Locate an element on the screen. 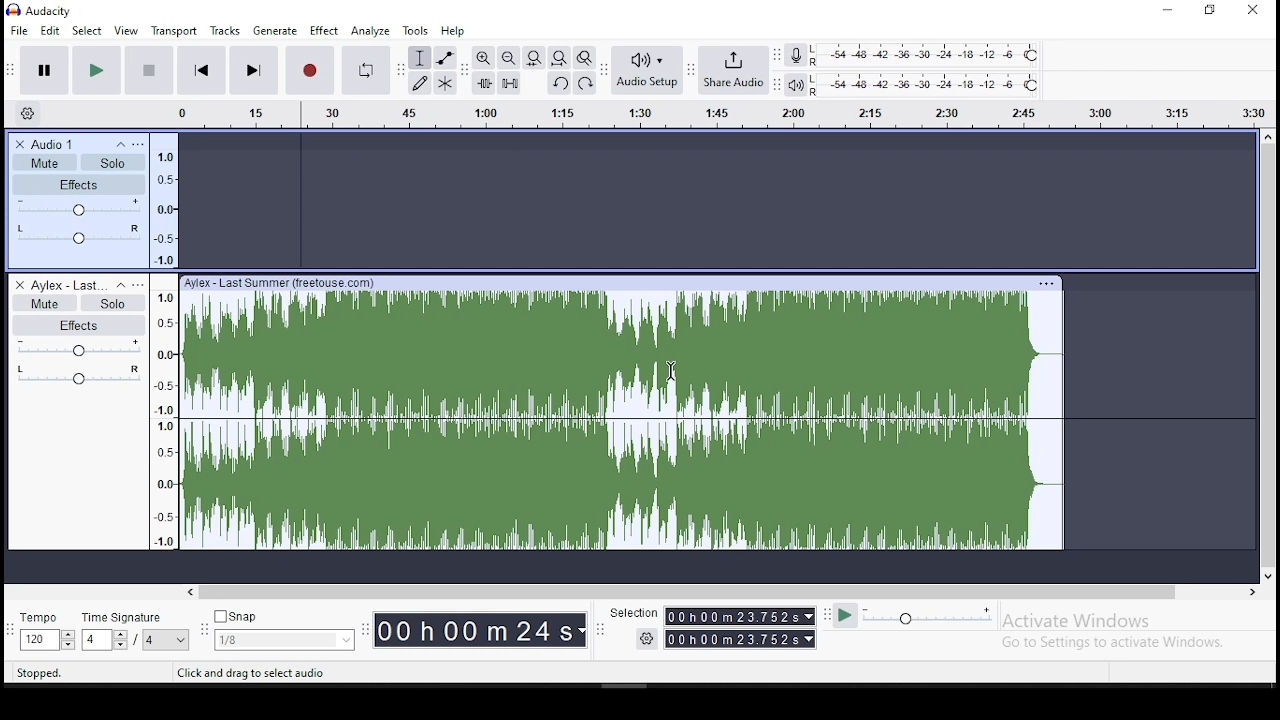 Image resolution: width=1280 pixels, height=720 pixels. draw tool is located at coordinates (417, 82).